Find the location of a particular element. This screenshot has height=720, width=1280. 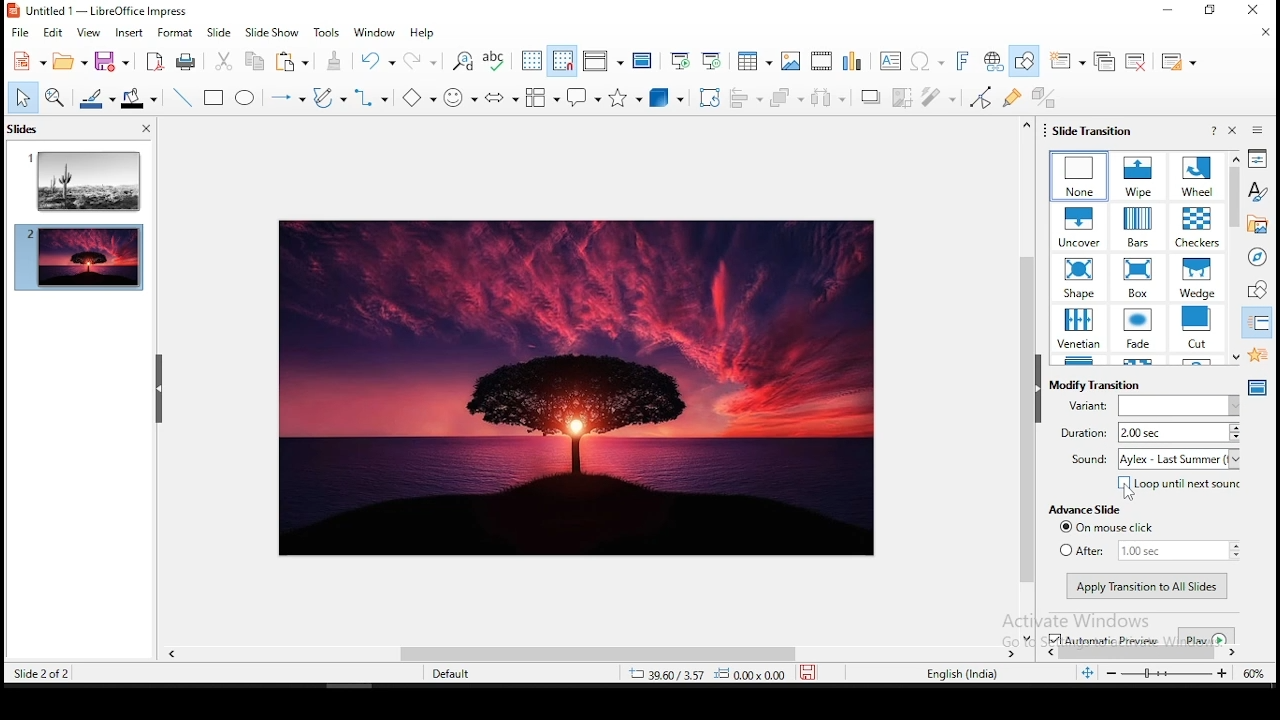

rectangle is located at coordinates (215, 98).